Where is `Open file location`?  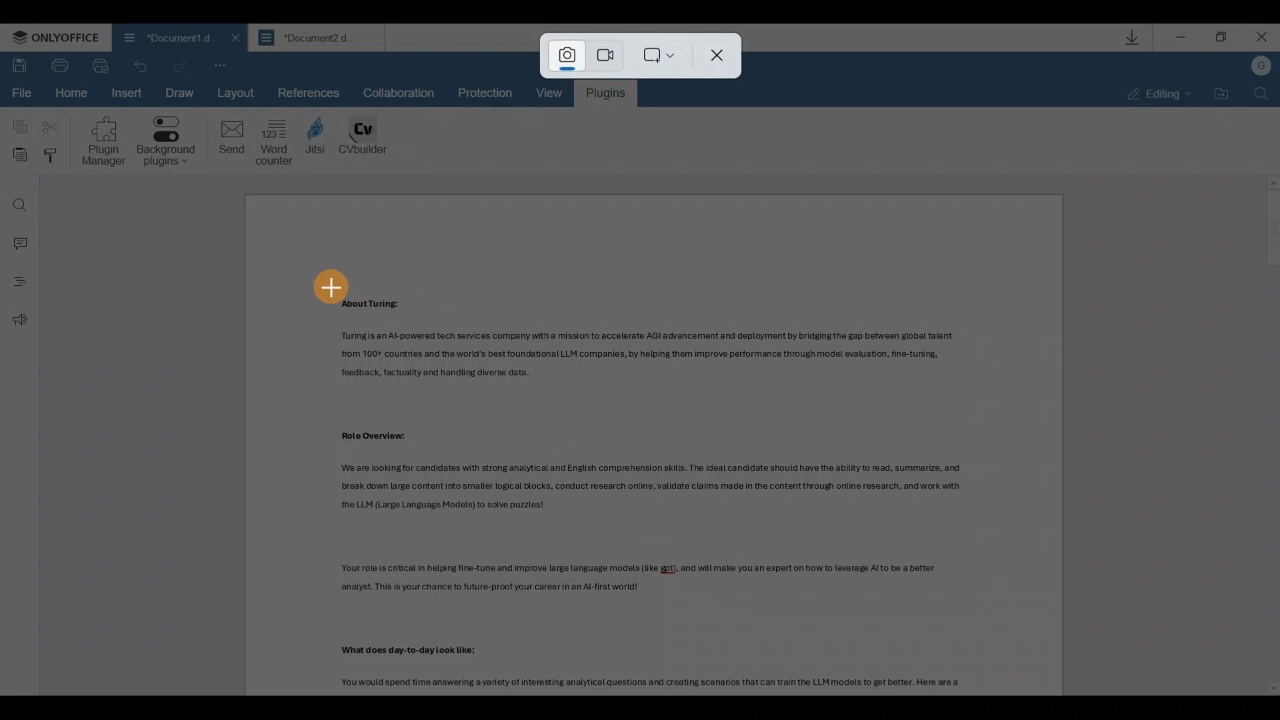
Open file location is located at coordinates (1218, 94).